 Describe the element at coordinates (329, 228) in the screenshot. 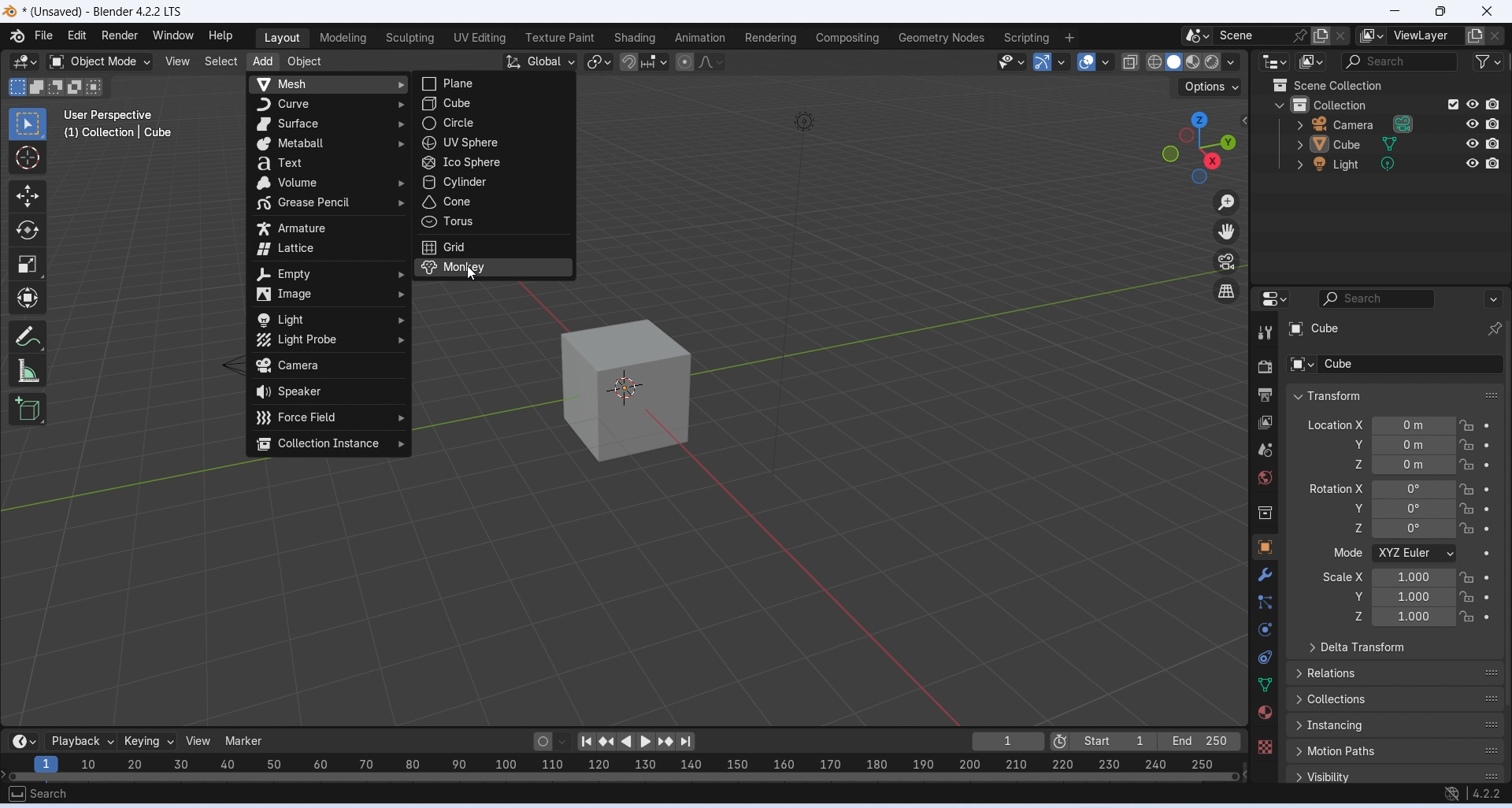

I see `armature` at that location.